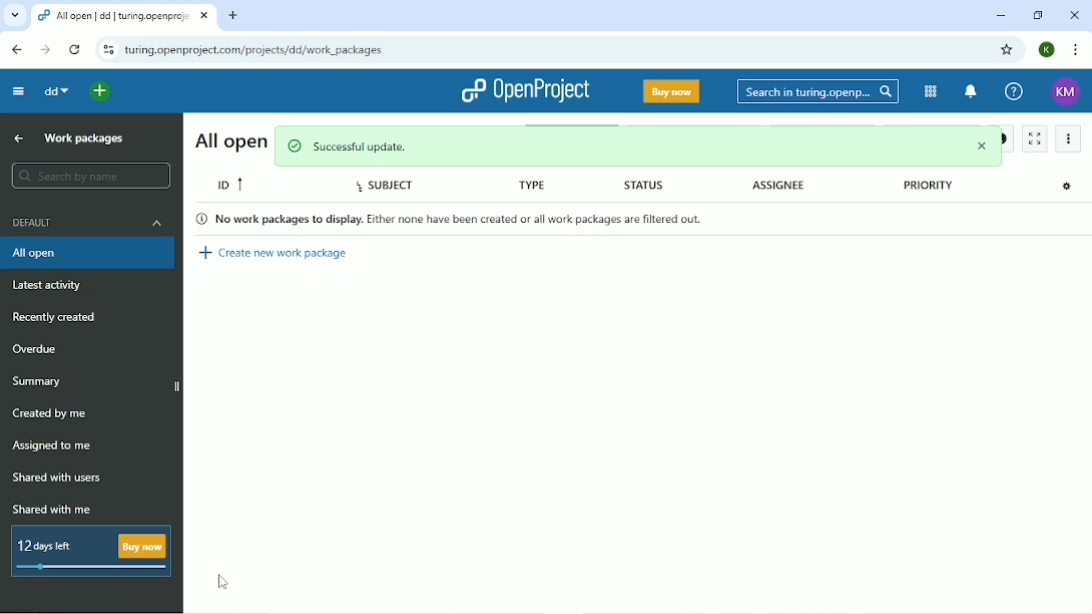 The height and width of the screenshot is (614, 1092). I want to click on Help, so click(1014, 90).